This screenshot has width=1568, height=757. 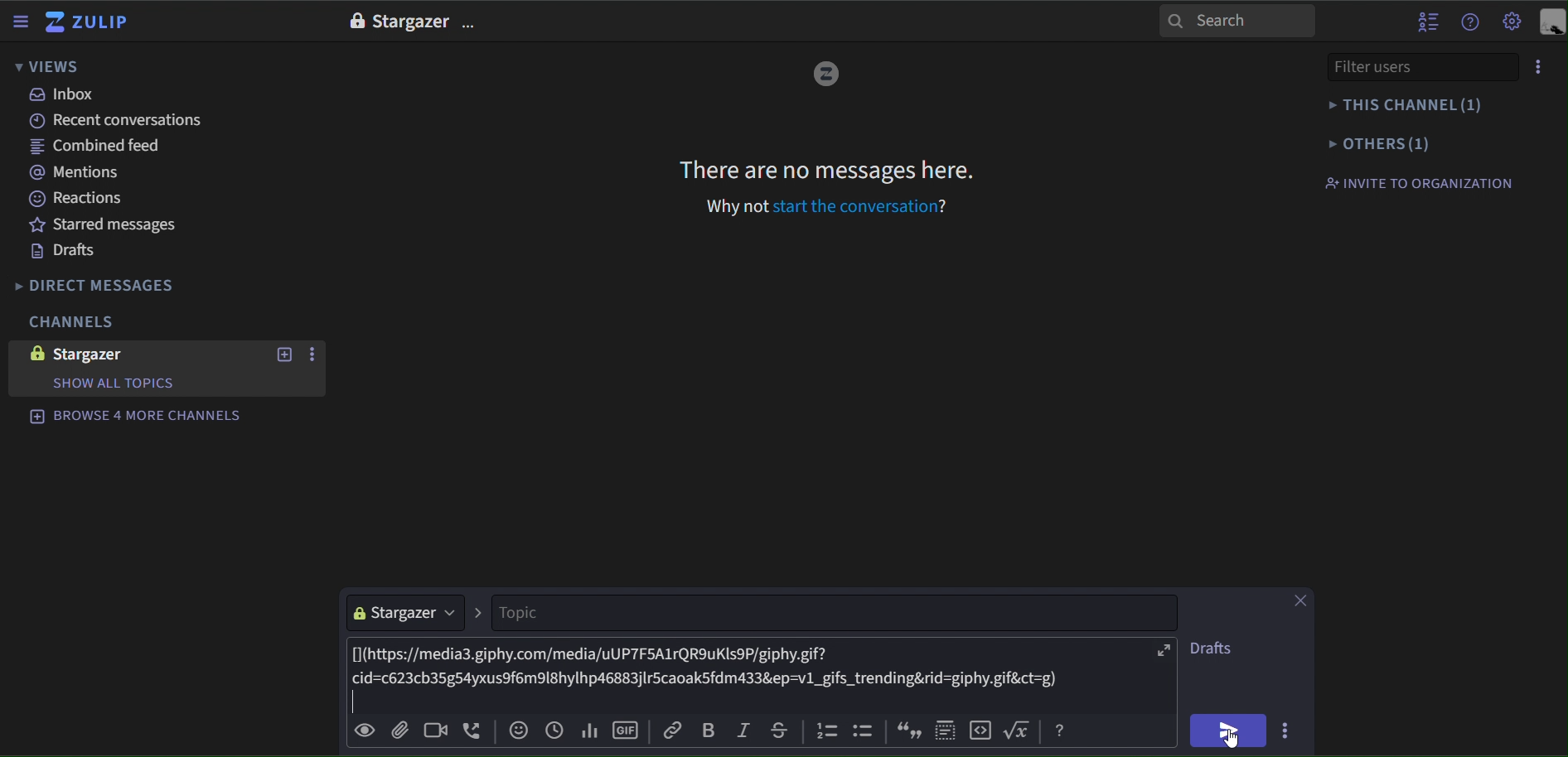 I want to click on upload files, so click(x=399, y=730).